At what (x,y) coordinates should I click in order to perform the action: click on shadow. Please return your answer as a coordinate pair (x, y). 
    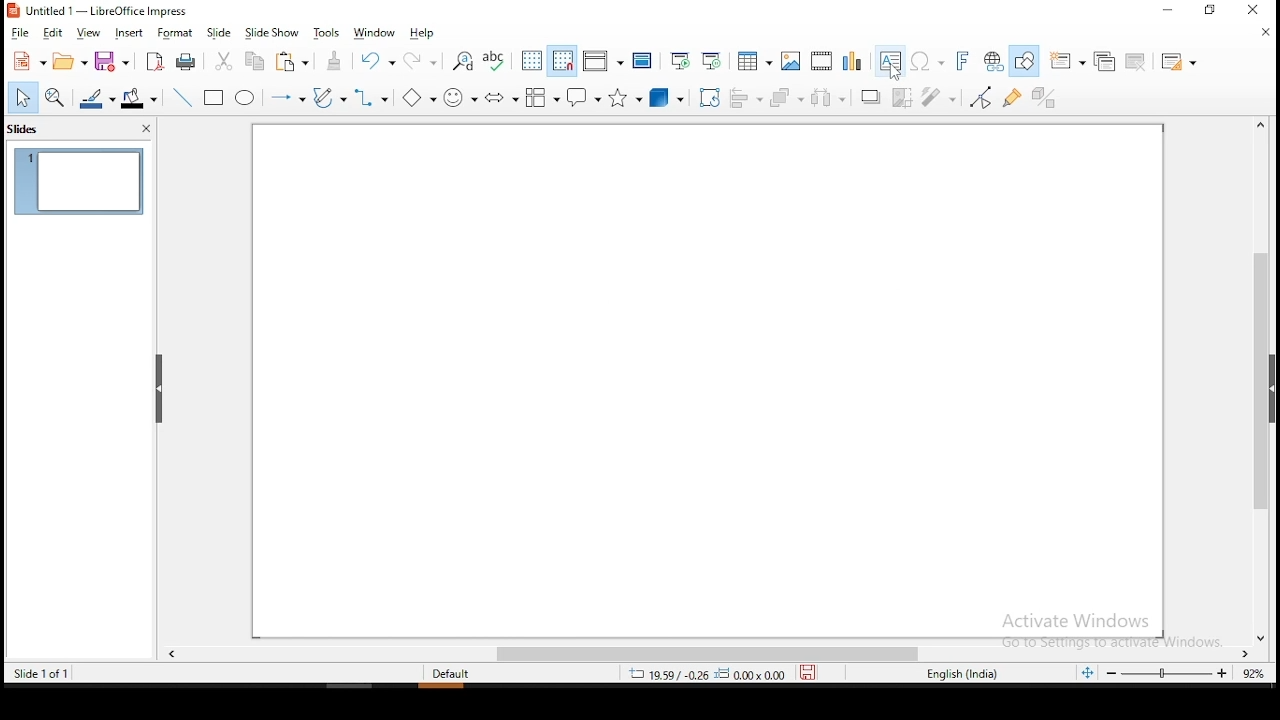
    Looking at the image, I should click on (873, 96).